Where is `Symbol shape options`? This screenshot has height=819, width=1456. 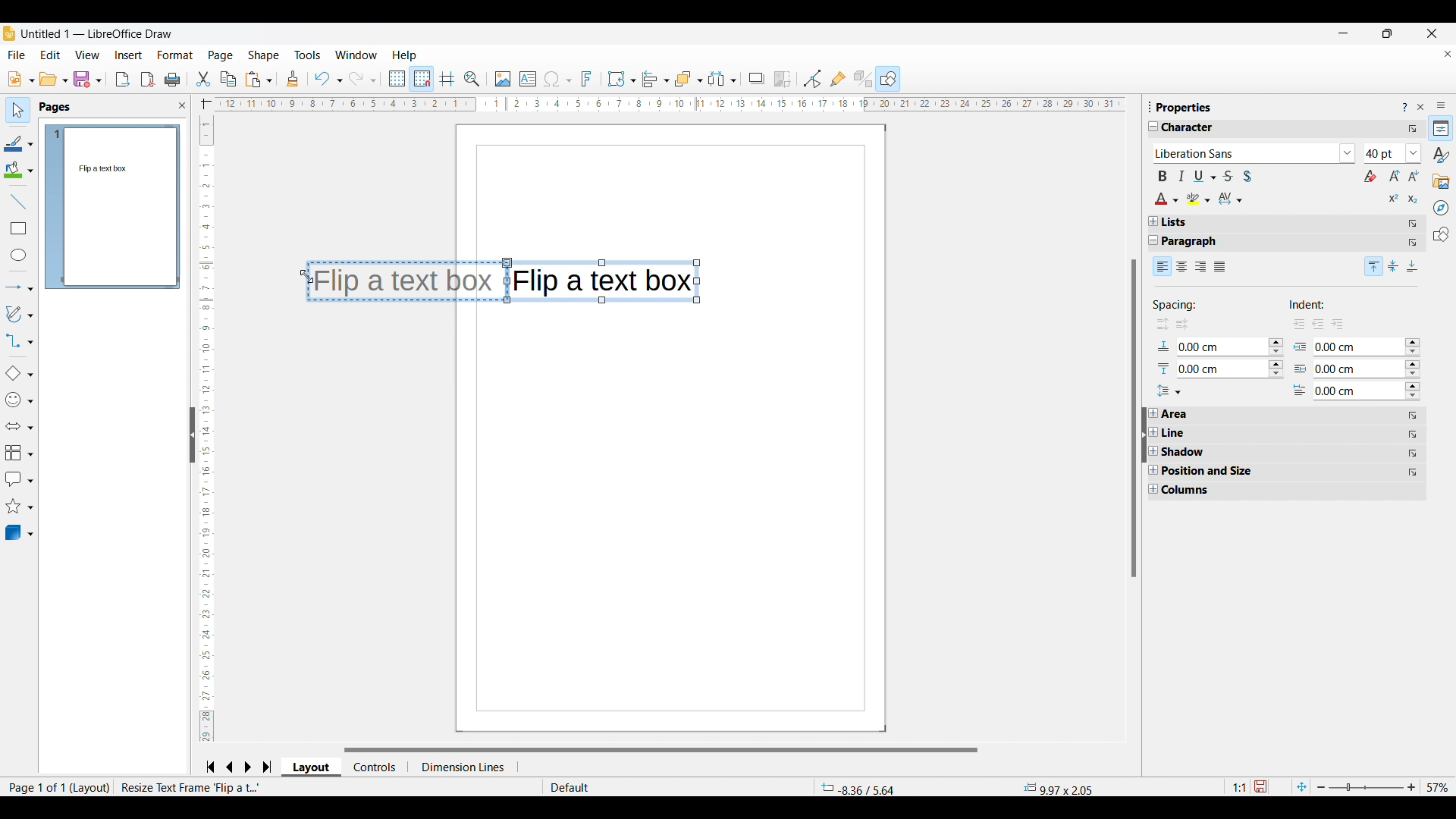 Symbol shape options is located at coordinates (19, 400).